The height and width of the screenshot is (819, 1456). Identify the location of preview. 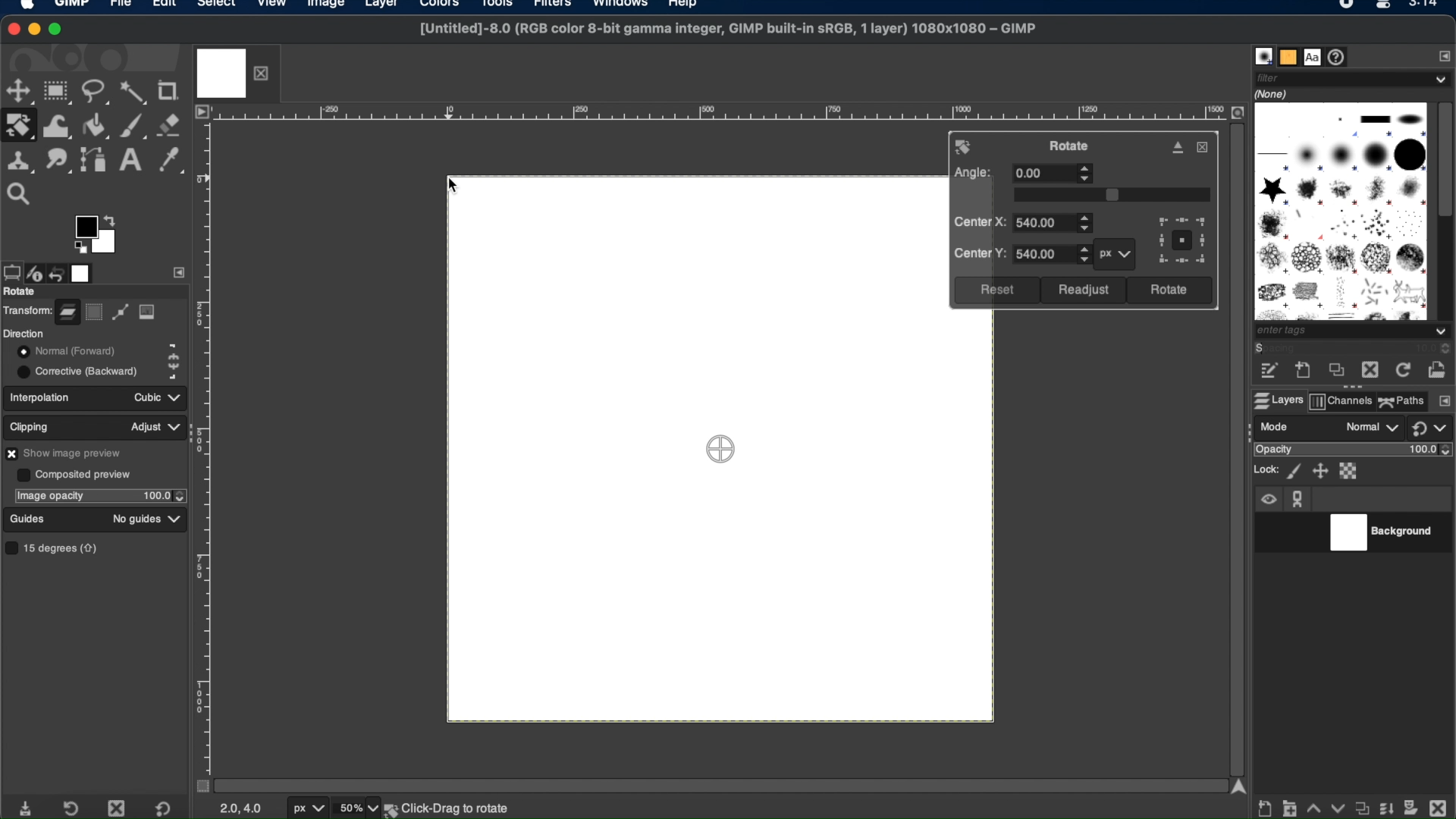
(80, 248).